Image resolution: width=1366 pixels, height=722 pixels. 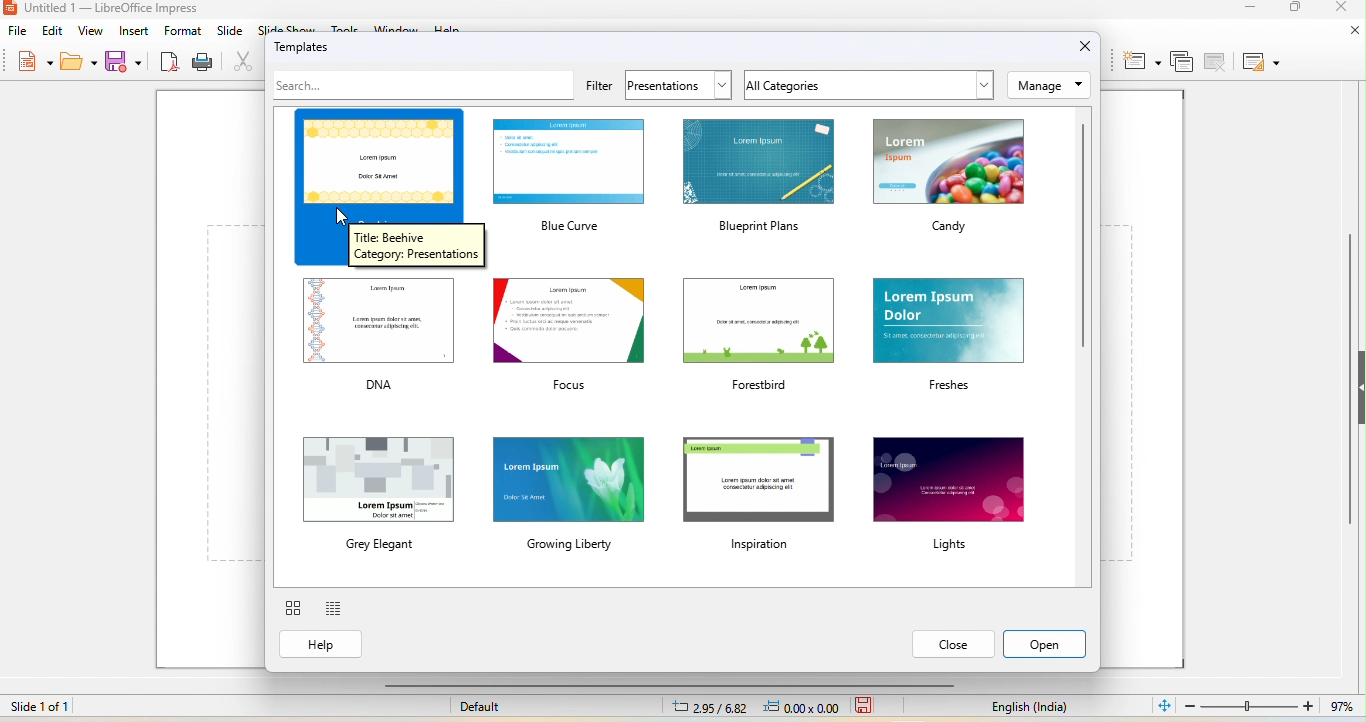 I want to click on duplicate slide, so click(x=1183, y=61).